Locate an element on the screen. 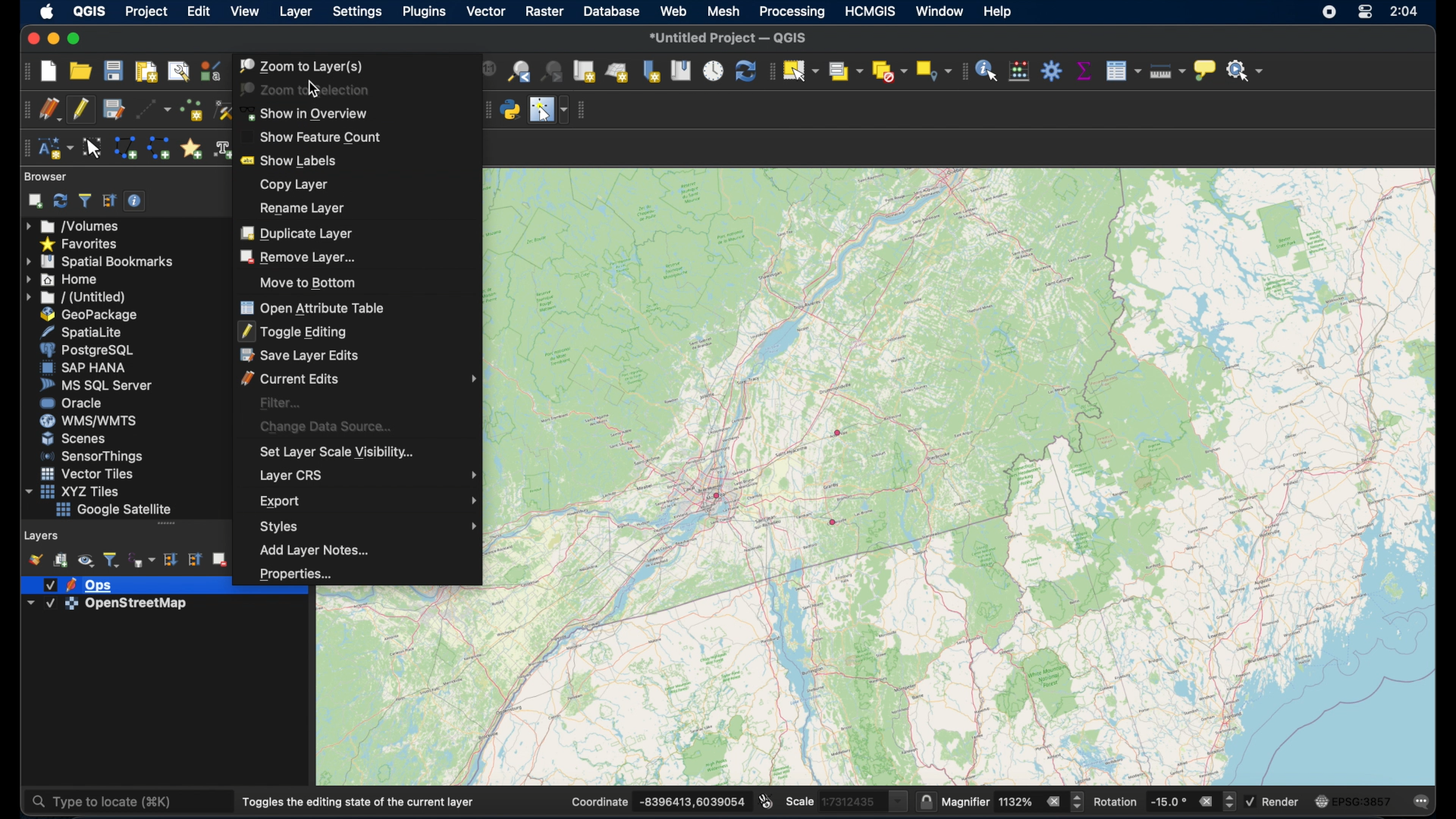 The height and width of the screenshot is (819, 1456). type to locate is located at coordinates (106, 801).